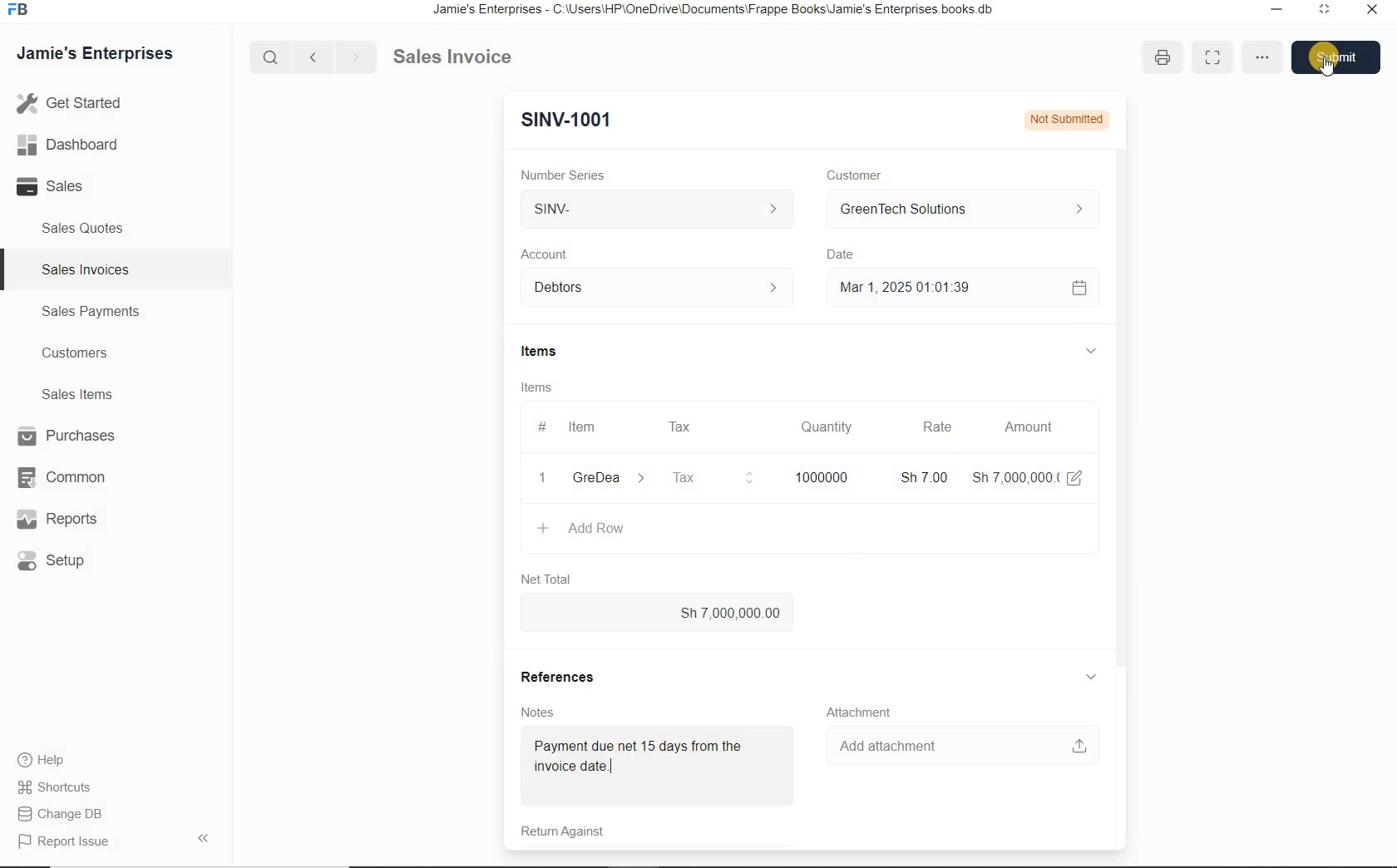 Image resolution: width=1397 pixels, height=868 pixels. I want to click on Mar 1,2025 01:01:39, so click(940, 288).